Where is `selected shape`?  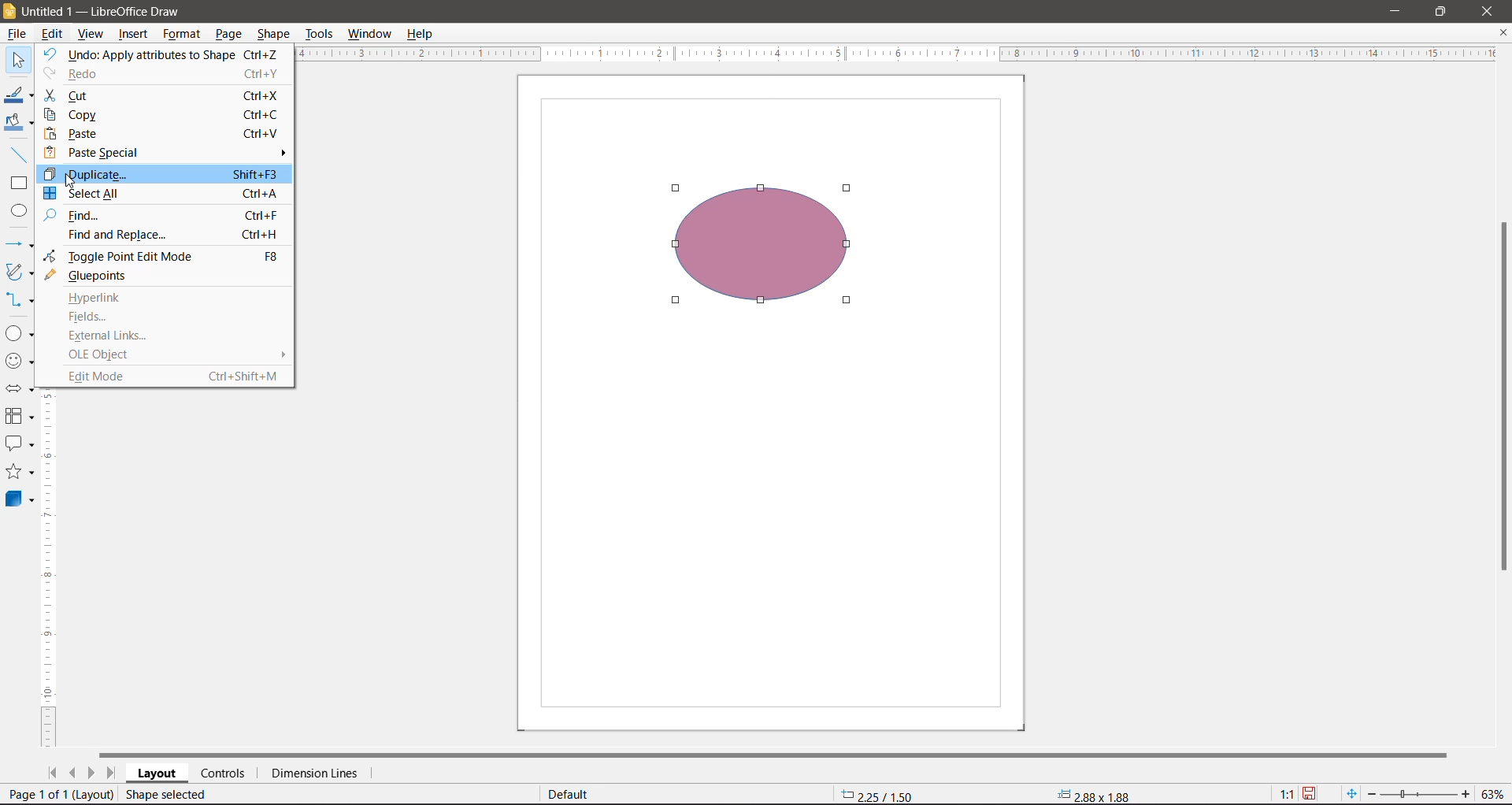 selected shape is located at coordinates (764, 248).